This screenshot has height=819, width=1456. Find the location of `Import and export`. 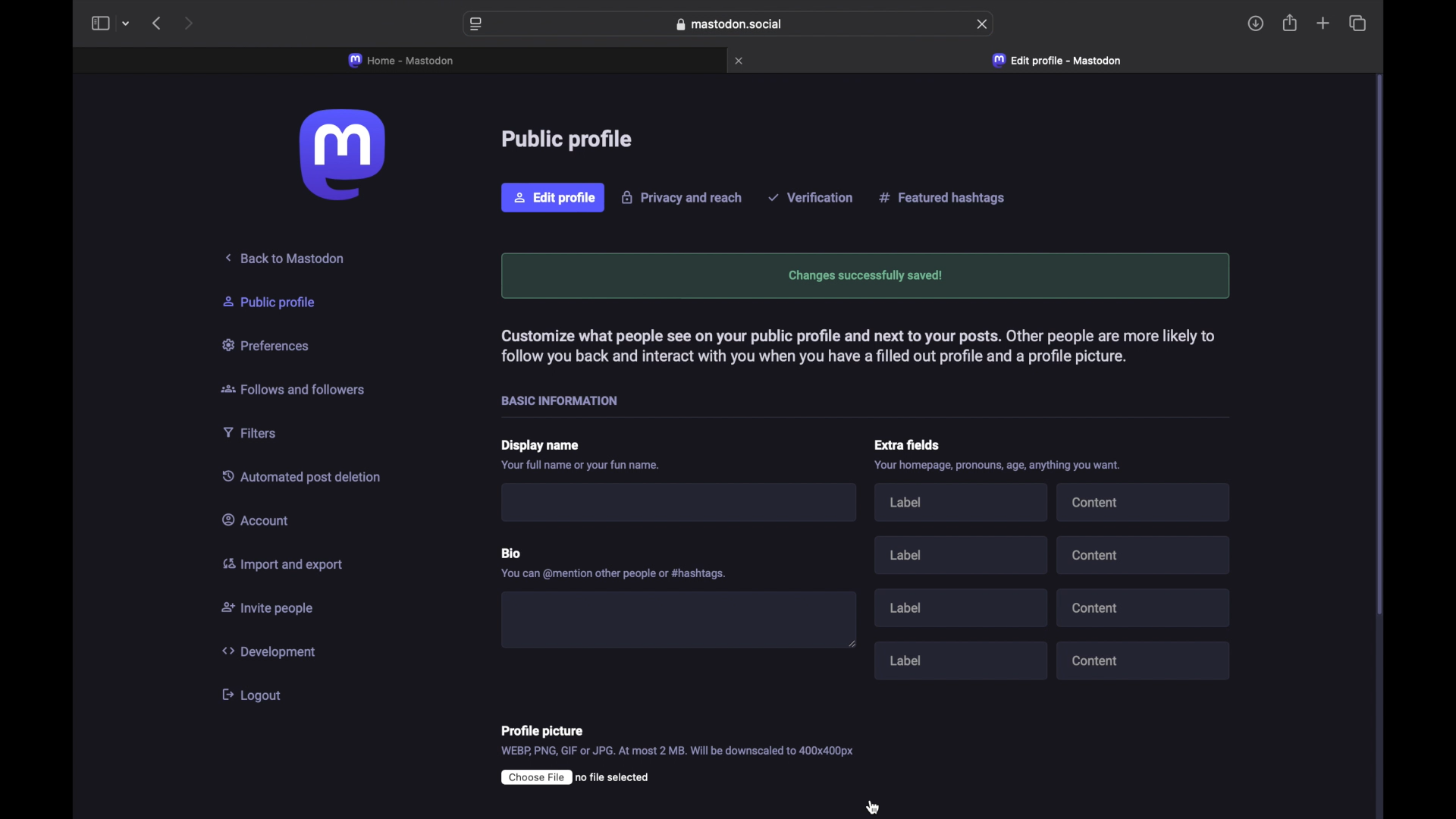

Import and export is located at coordinates (277, 563).